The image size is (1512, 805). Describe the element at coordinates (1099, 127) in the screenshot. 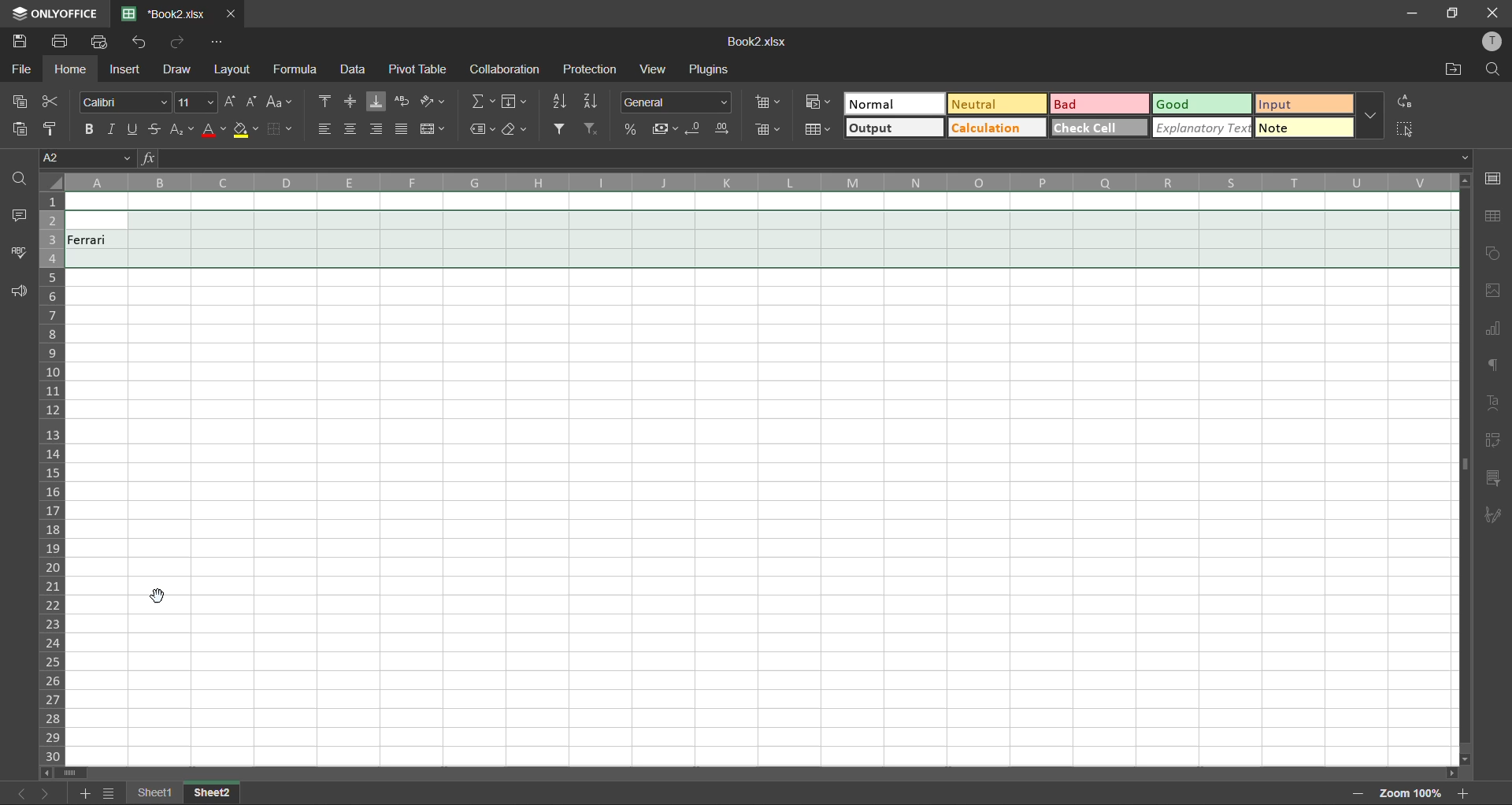

I see `check cell` at that location.